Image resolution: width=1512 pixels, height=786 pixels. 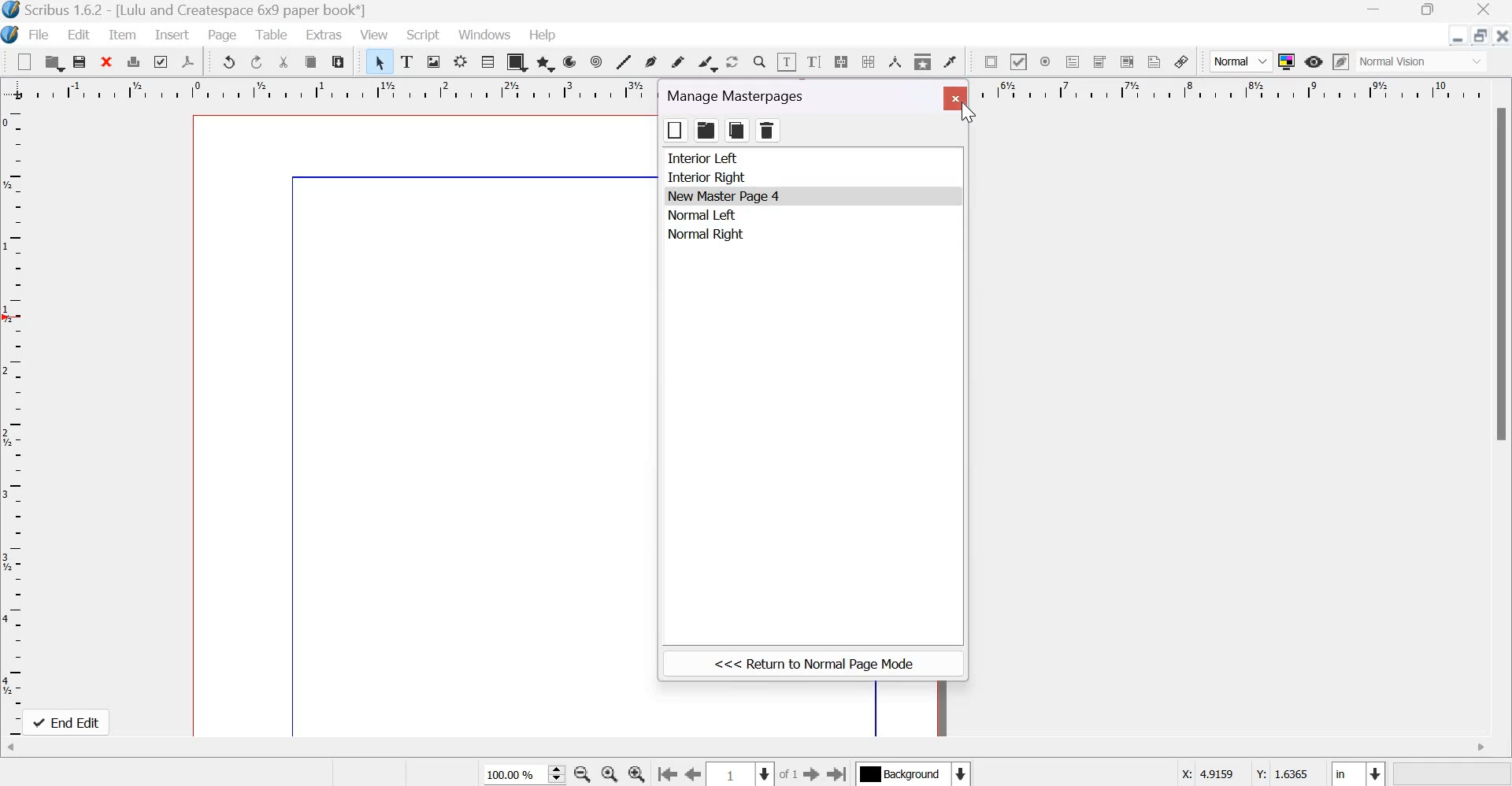 What do you see at coordinates (24, 61) in the screenshot?
I see `New` at bounding box center [24, 61].